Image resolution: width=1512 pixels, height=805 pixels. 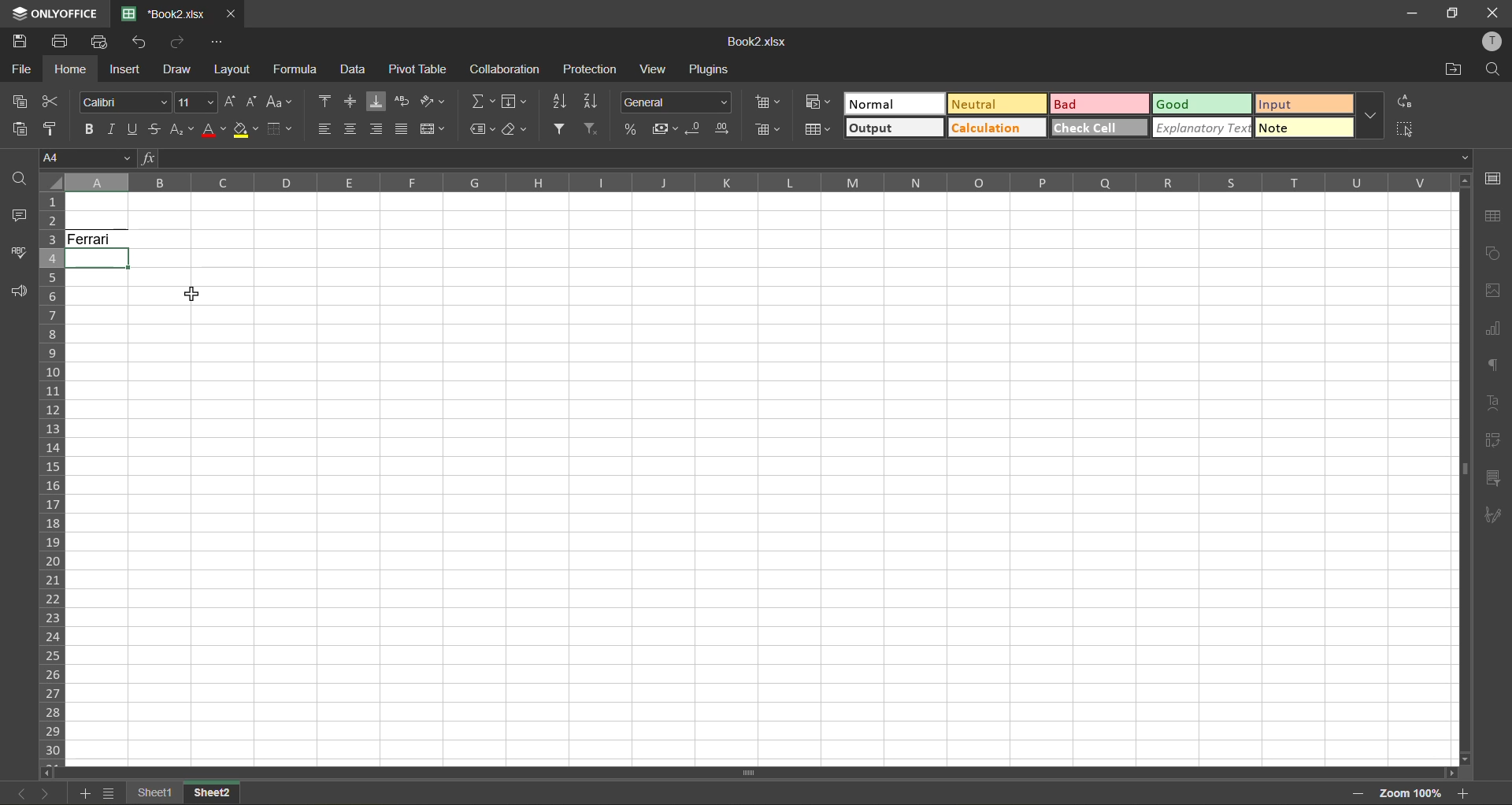 I want to click on clear filter, so click(x=593, y=130).